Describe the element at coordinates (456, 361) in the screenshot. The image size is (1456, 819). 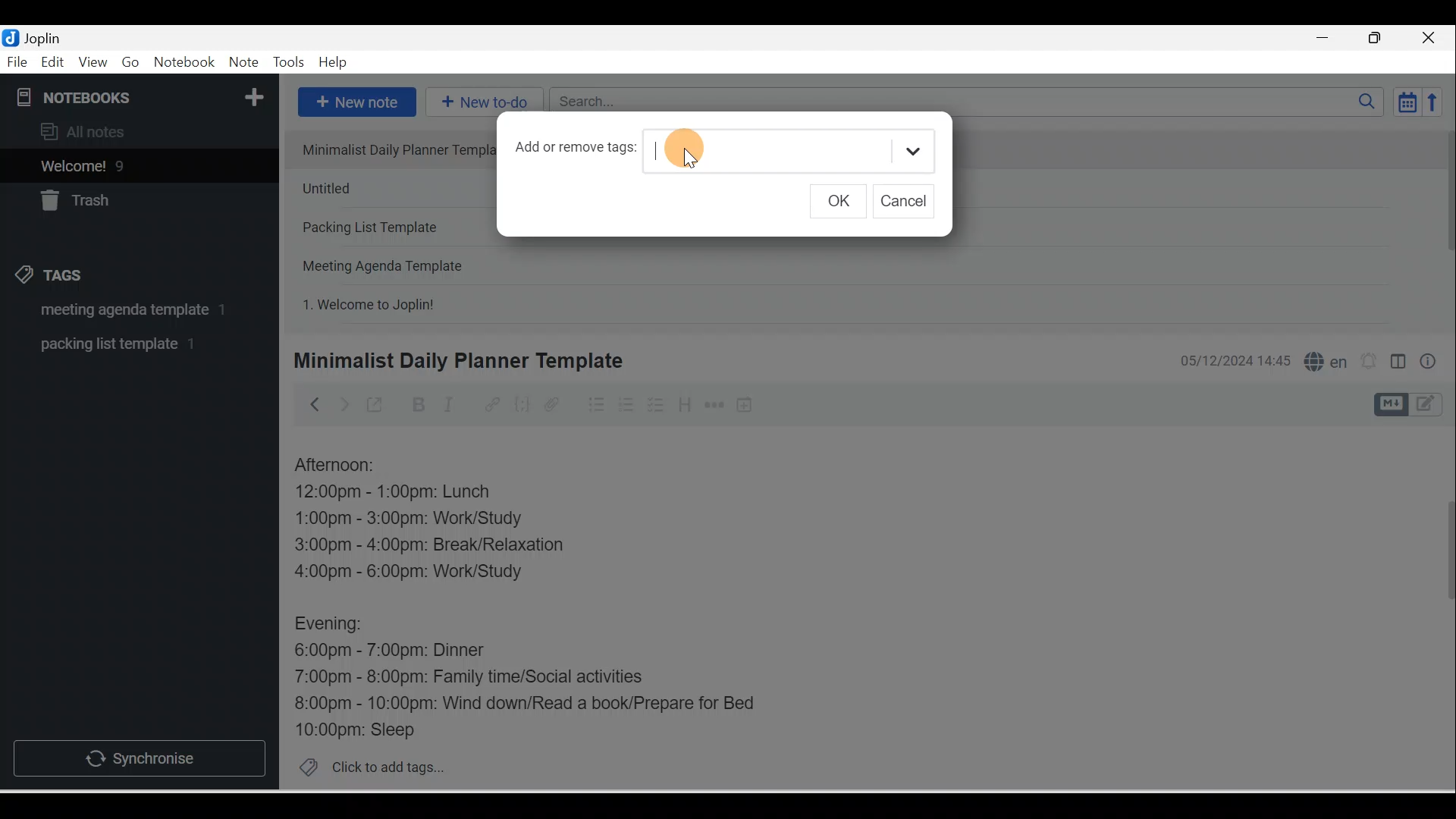
I see `Minimalist Daily Planner Template` at that location.